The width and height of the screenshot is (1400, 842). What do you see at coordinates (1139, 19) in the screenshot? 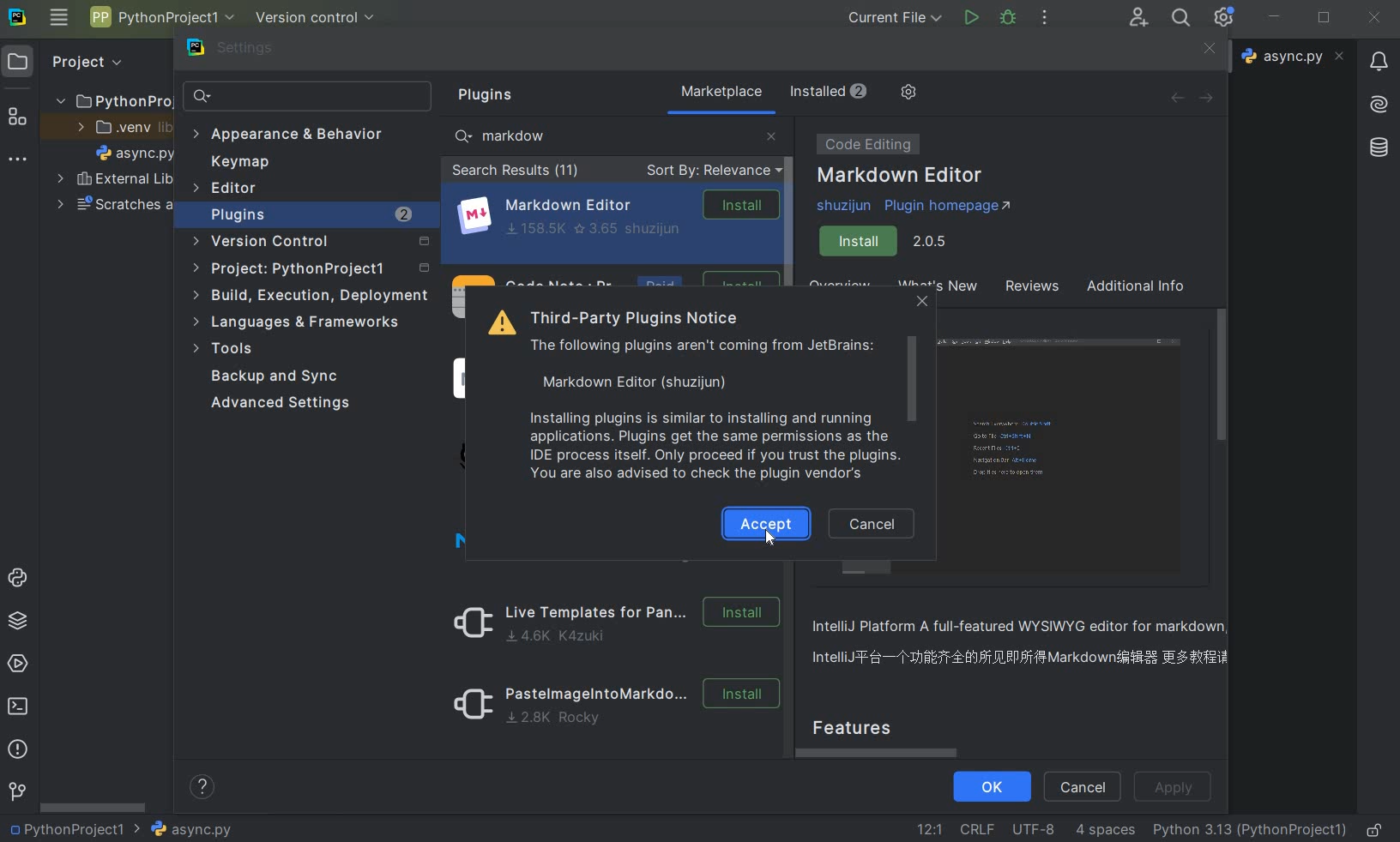
I see `code with me` at bounding box center [1139, 19].